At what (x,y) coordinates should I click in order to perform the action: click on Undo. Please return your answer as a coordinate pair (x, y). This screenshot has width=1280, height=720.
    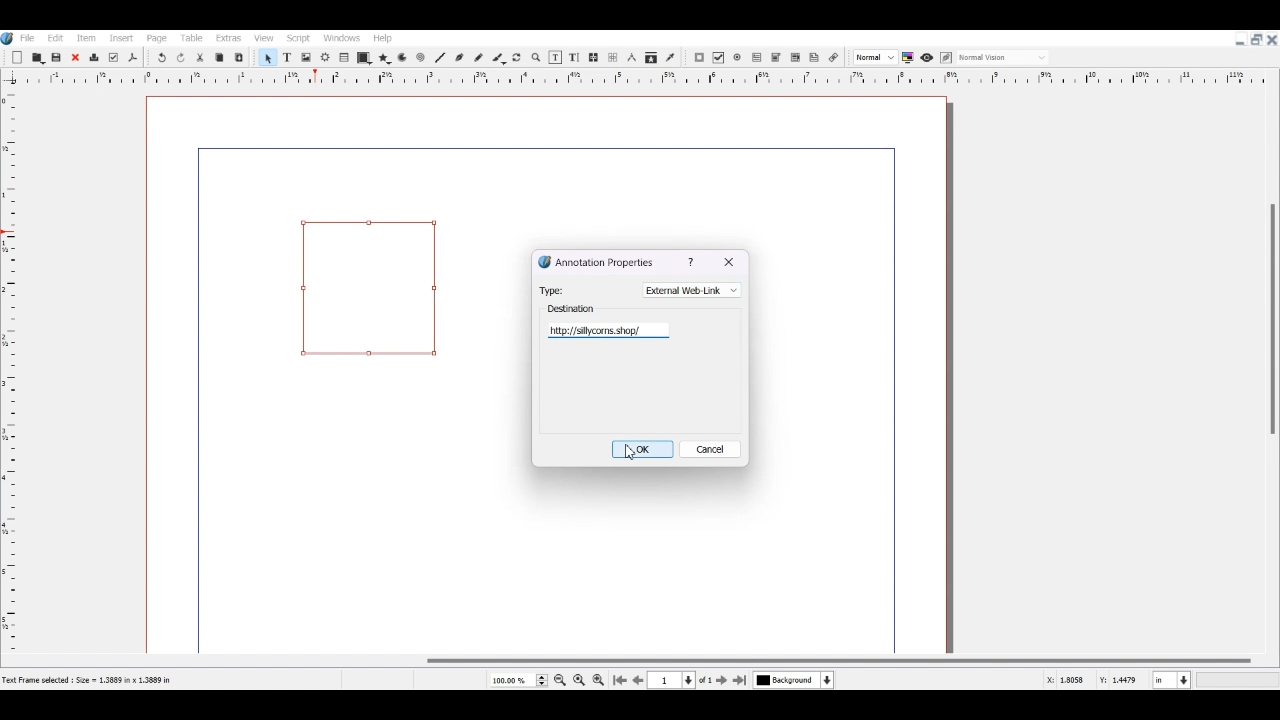
    Looking at the image, I should click on (161, 58).